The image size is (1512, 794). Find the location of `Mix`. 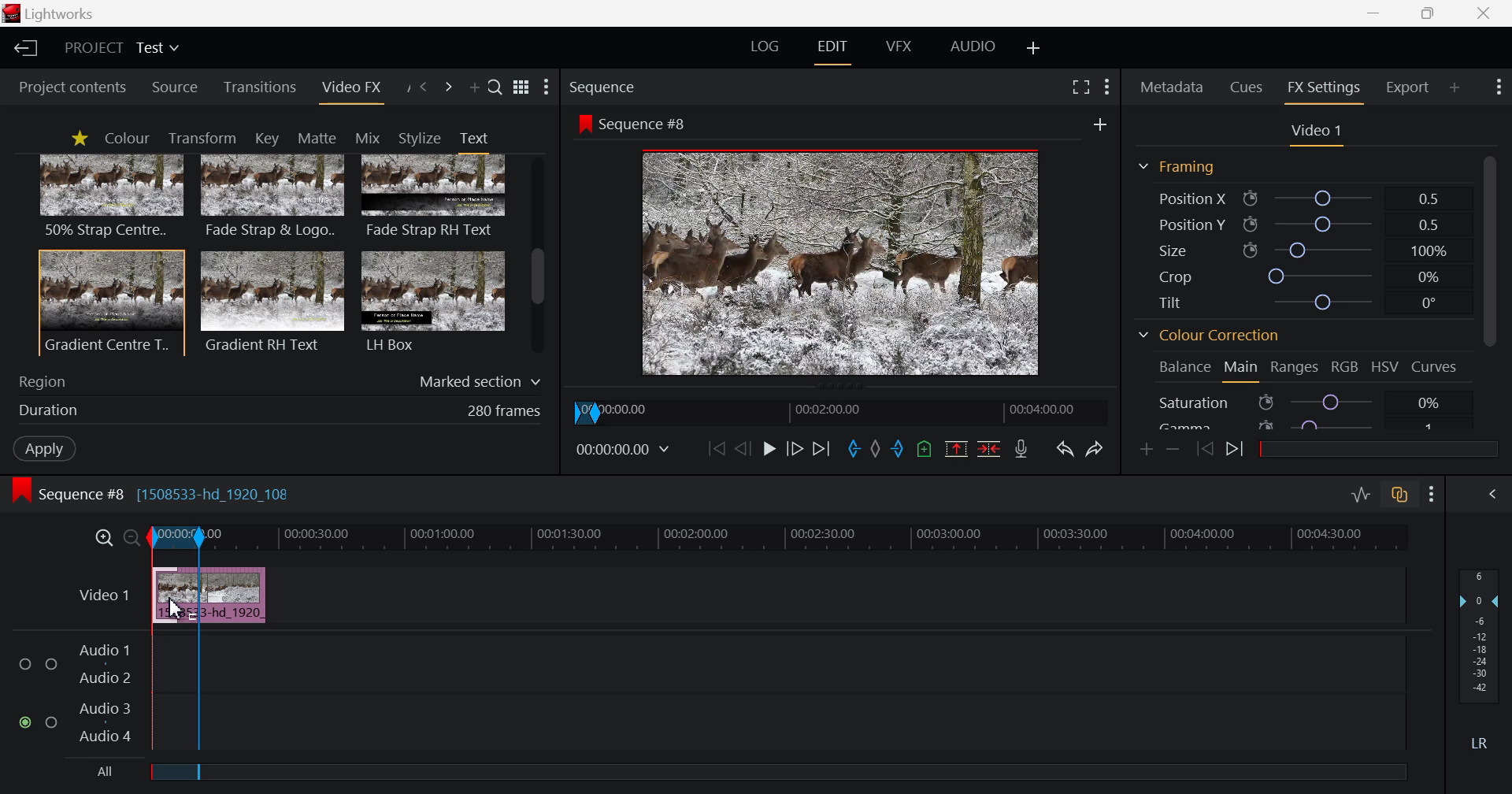

Mix is located at coordinates (372, 137).